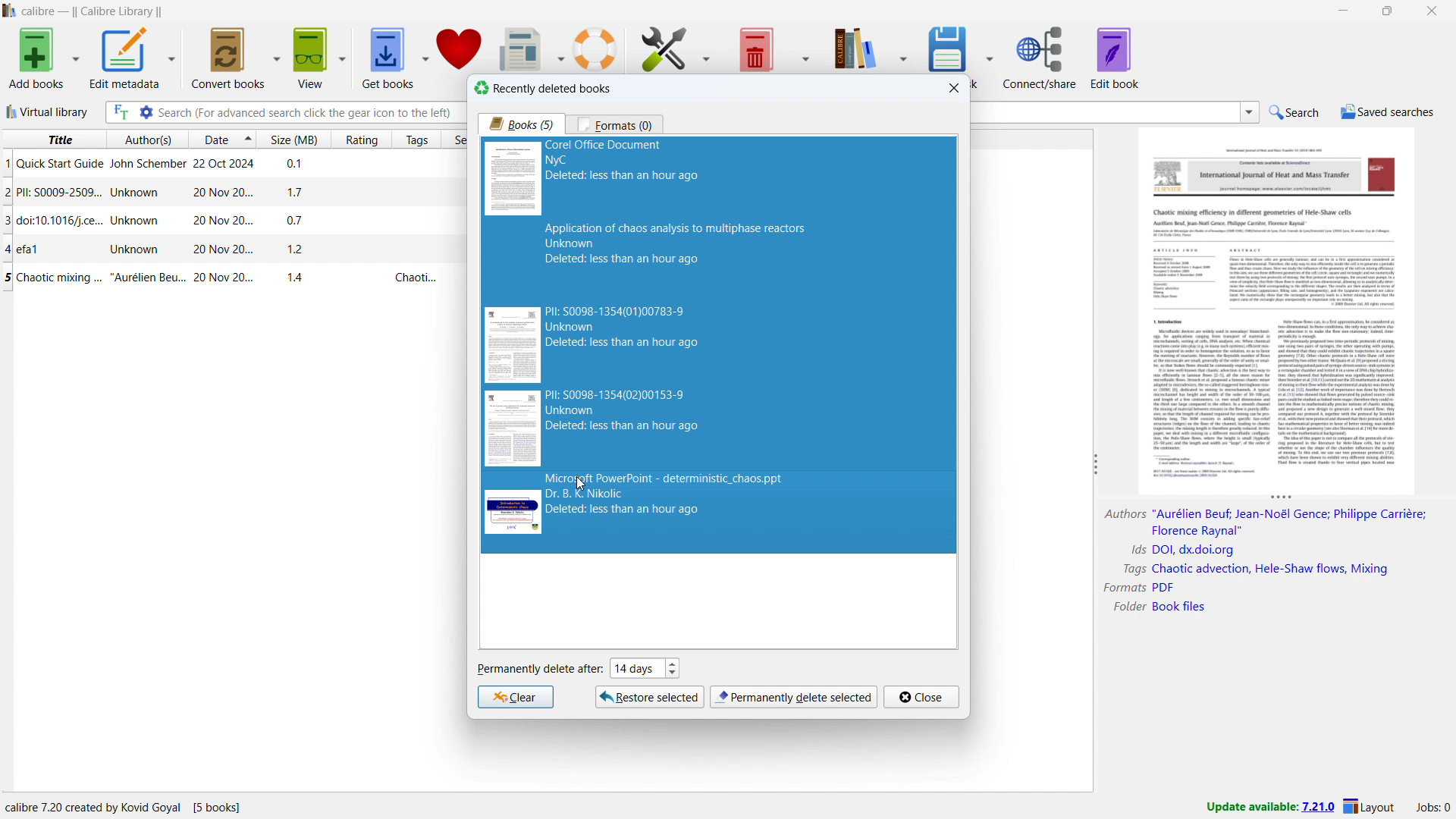  I want to click on search history, so click(1250, 113).